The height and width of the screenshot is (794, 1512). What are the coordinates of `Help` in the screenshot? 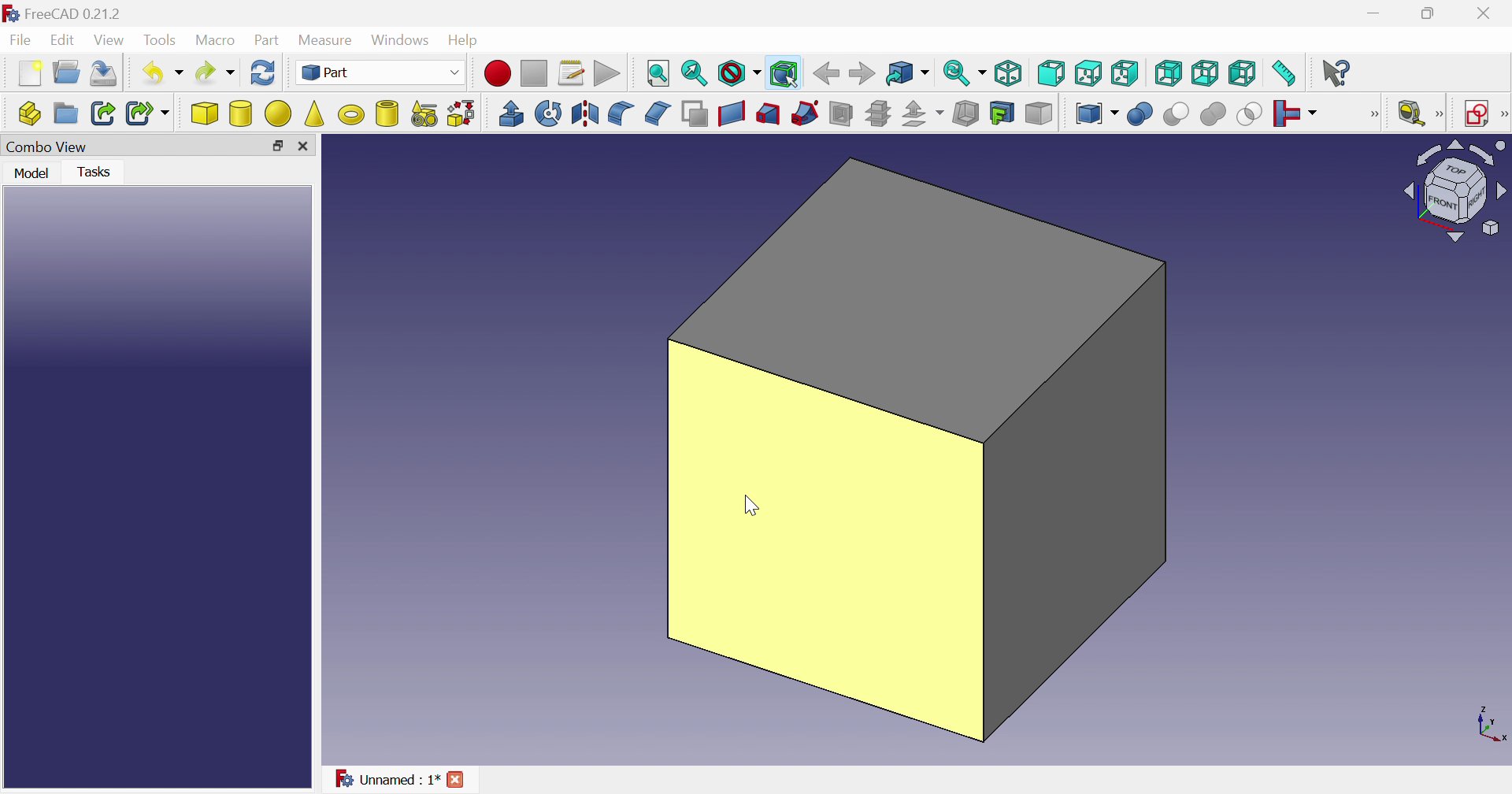 It's located at (467, 39).